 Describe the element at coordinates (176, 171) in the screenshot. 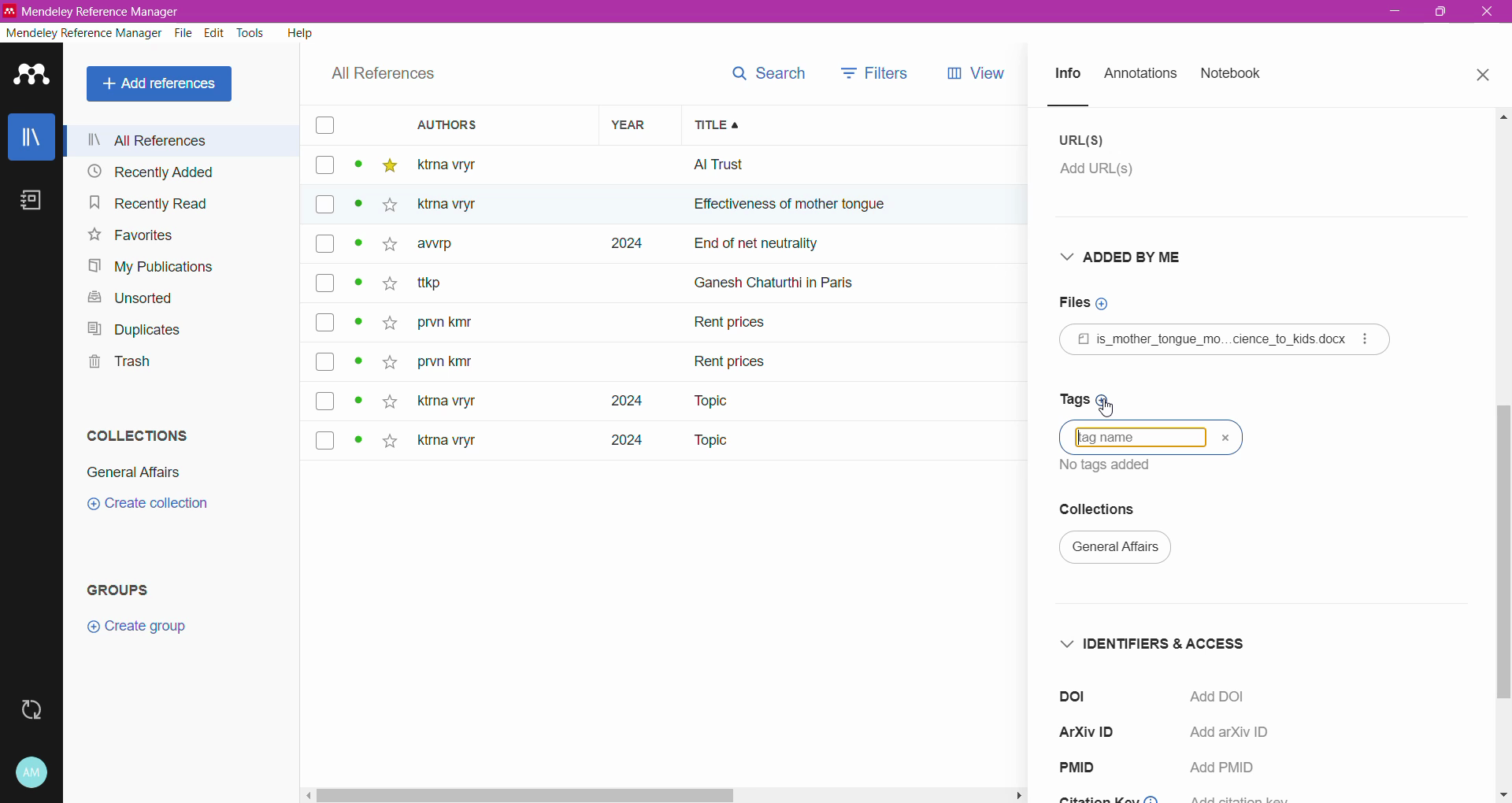

I see `Recently Added` at that location.